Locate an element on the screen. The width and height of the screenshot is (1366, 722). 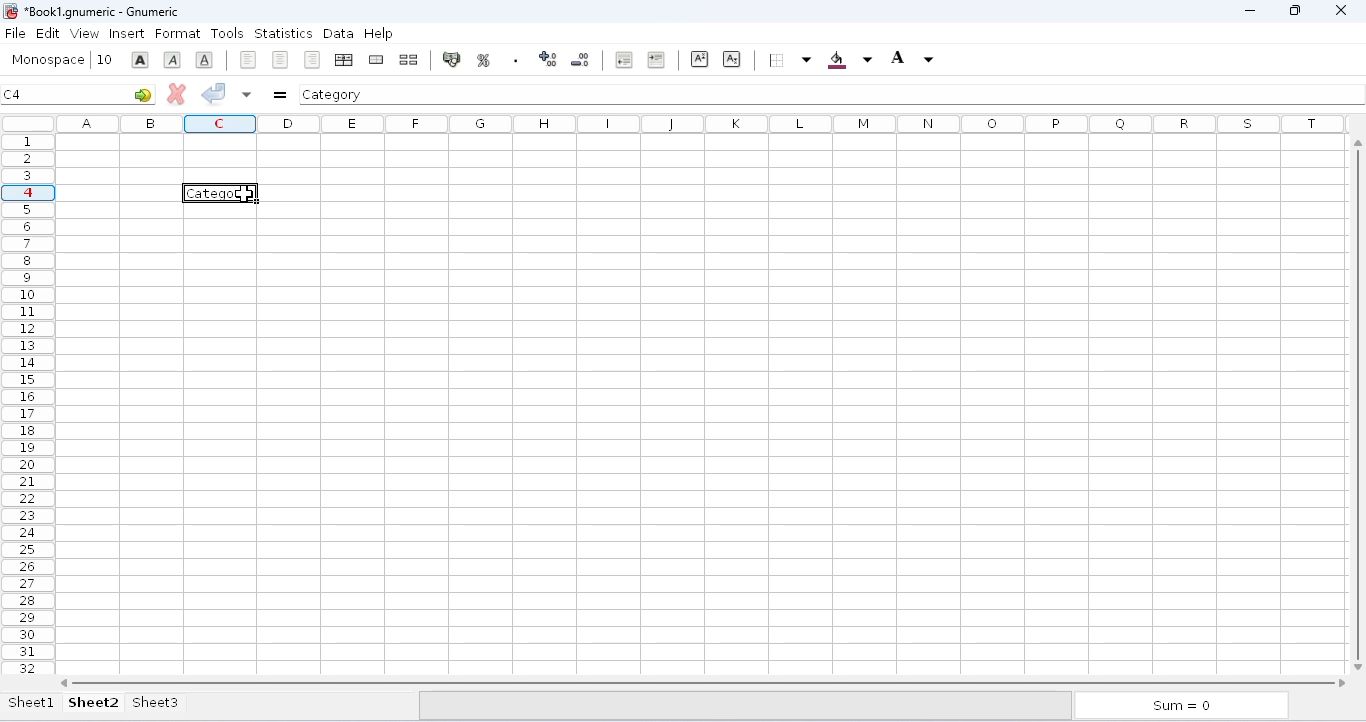
cursor is located at coordinates (248, 196).